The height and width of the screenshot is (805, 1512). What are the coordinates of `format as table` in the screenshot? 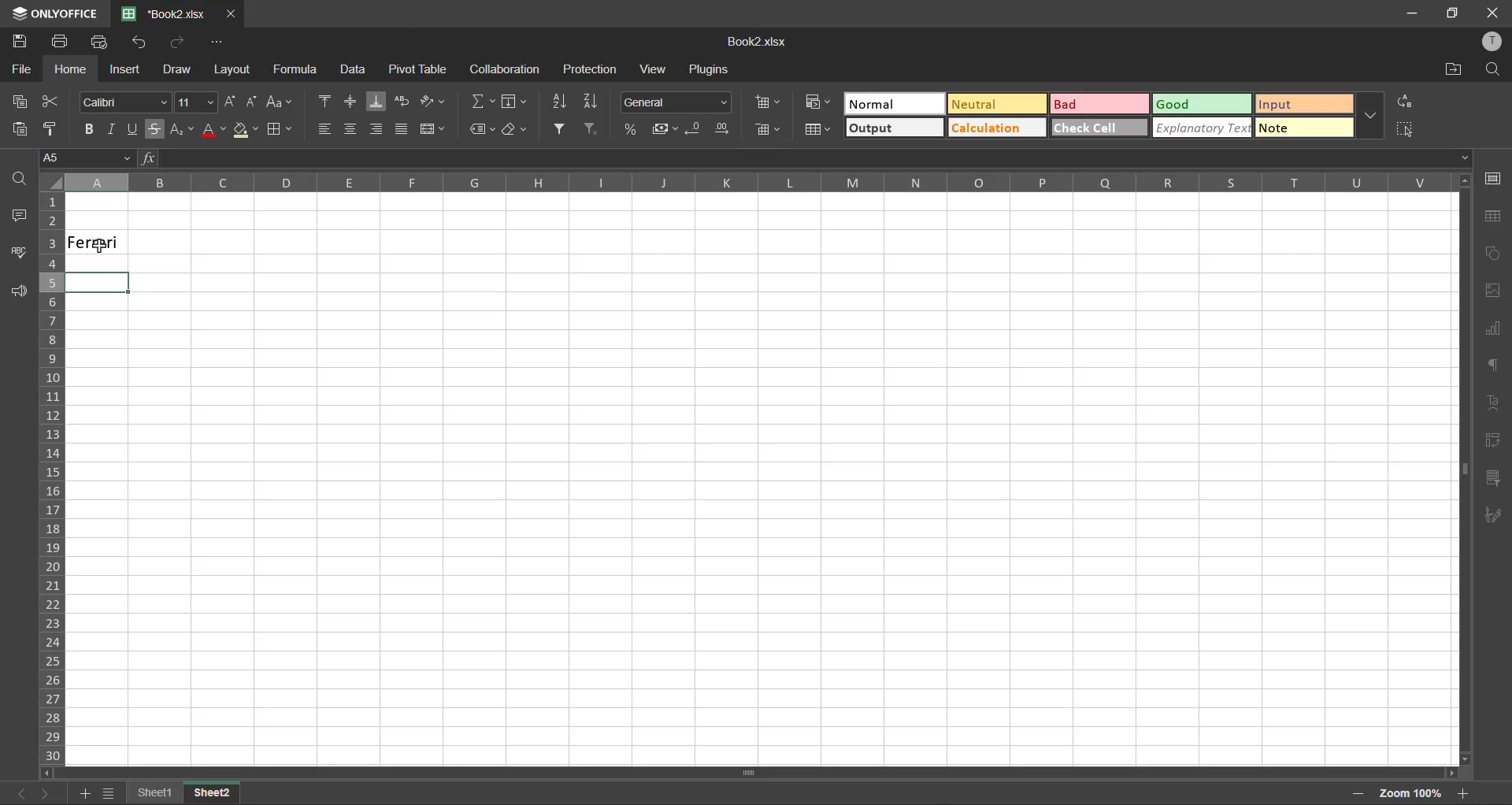 It's located at (817, 129).